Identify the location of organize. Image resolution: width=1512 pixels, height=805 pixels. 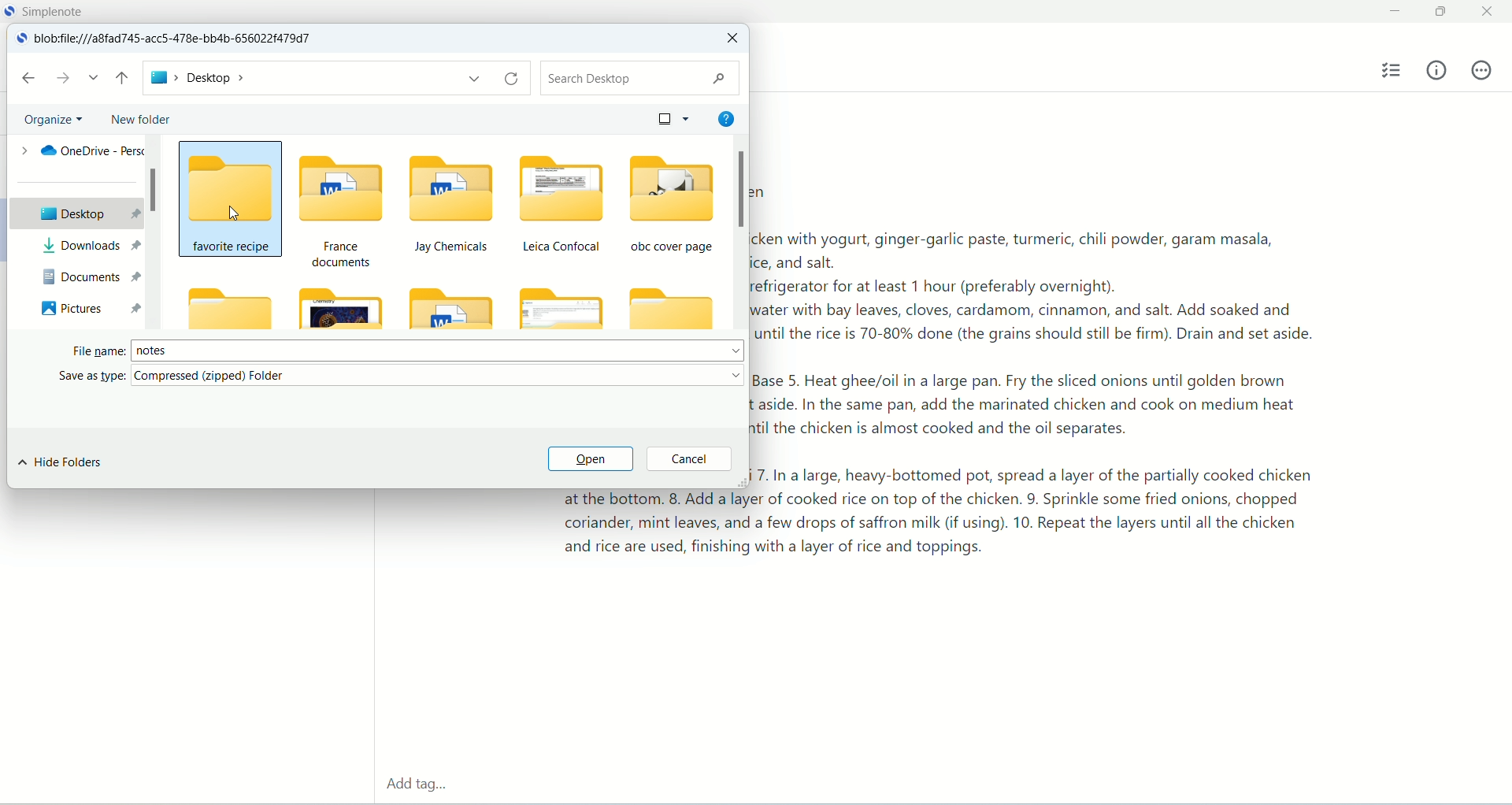
(55, 118).